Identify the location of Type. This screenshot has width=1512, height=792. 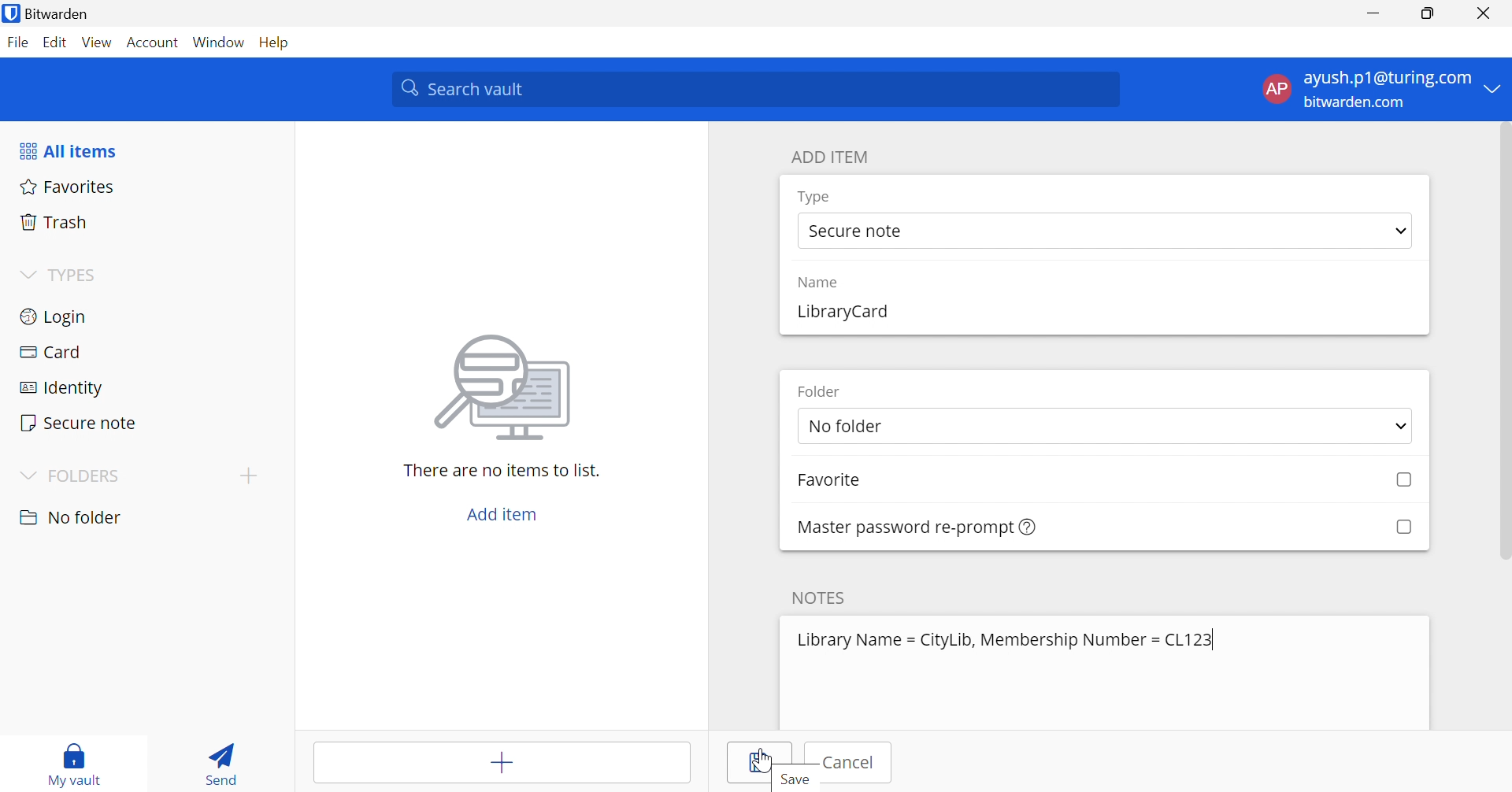
(815, 198).